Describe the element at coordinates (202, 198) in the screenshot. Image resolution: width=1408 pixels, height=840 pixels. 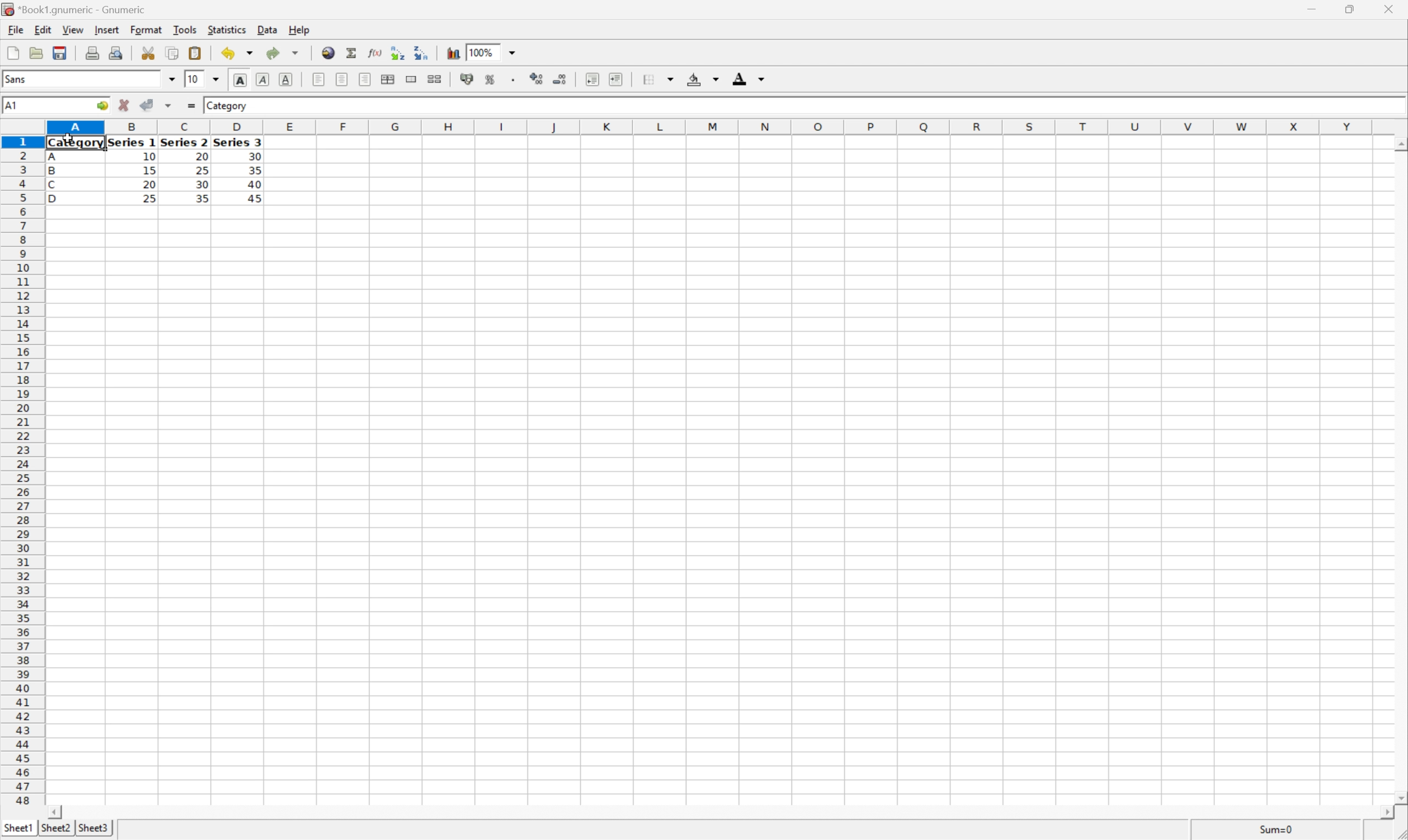
I see `35` at that location.